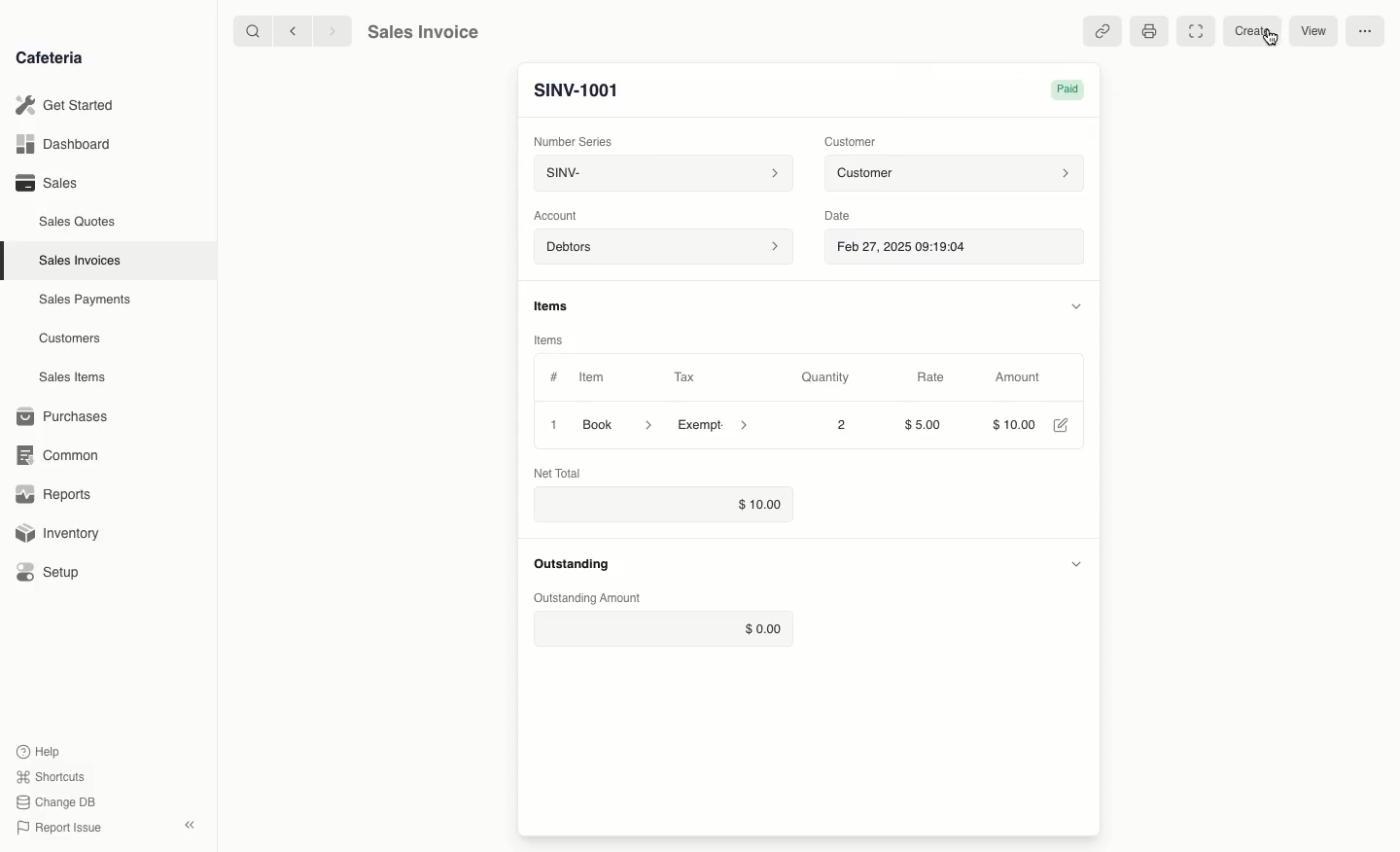 This screenshot has width=1400, height=852. Describe the element at coordinates (296, 31) in the screenshot. I see `back` at that location.